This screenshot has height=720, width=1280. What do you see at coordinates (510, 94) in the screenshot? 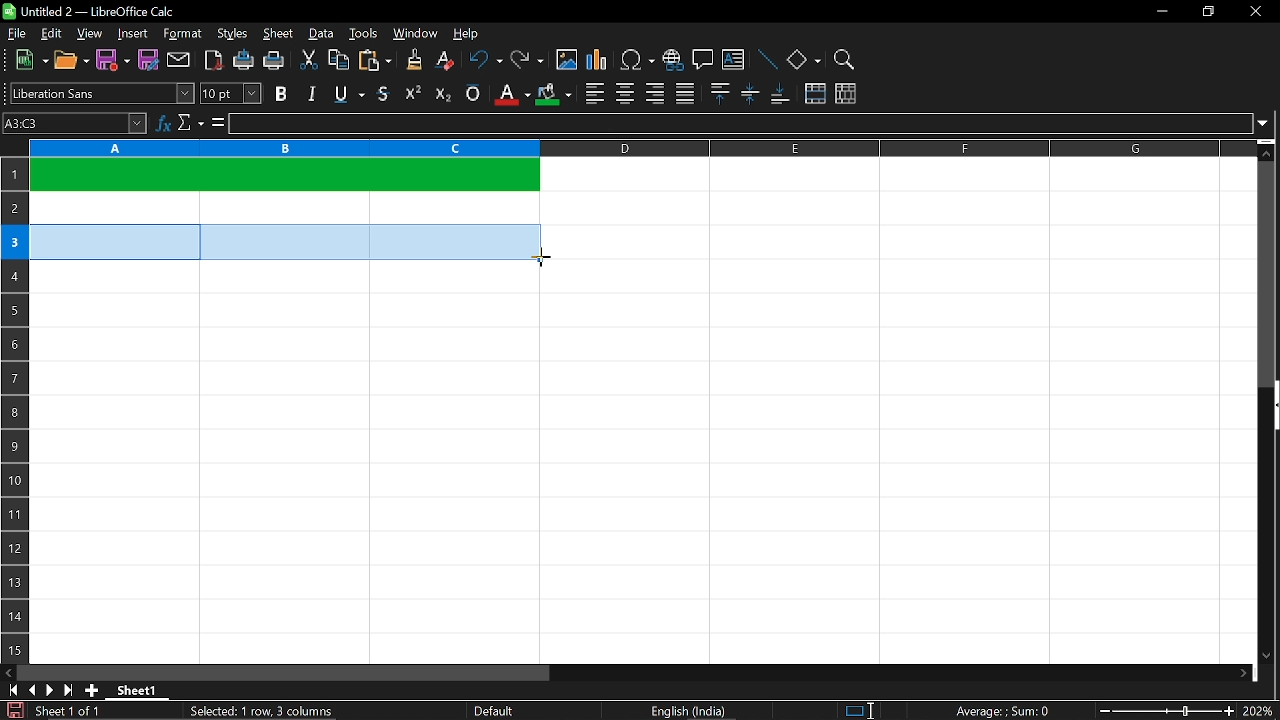
I see `text color` at bounding box center [510, 94].